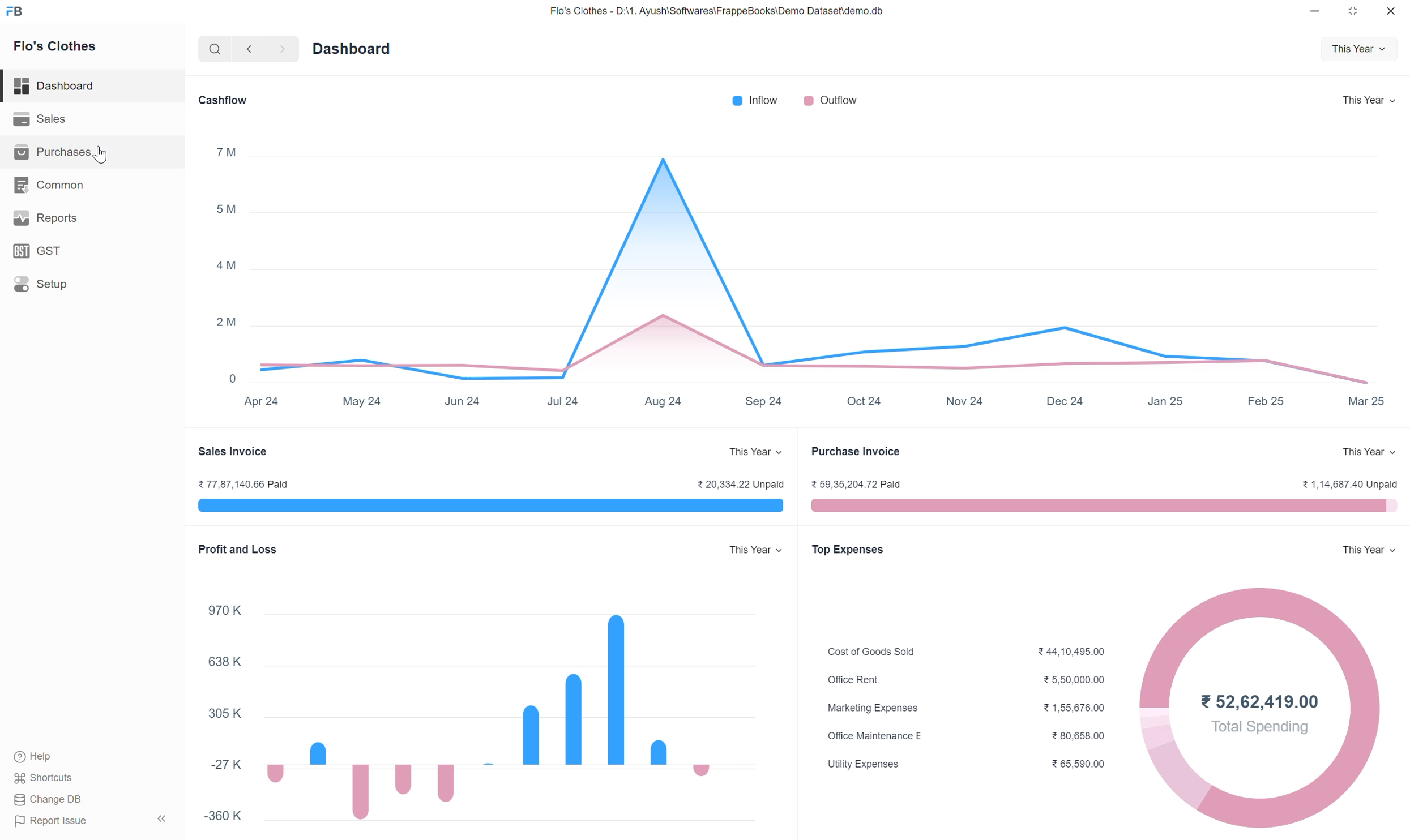 The width and height of the screenshot is (1410, 840). I want to click on apr 24, so click(262, 402).